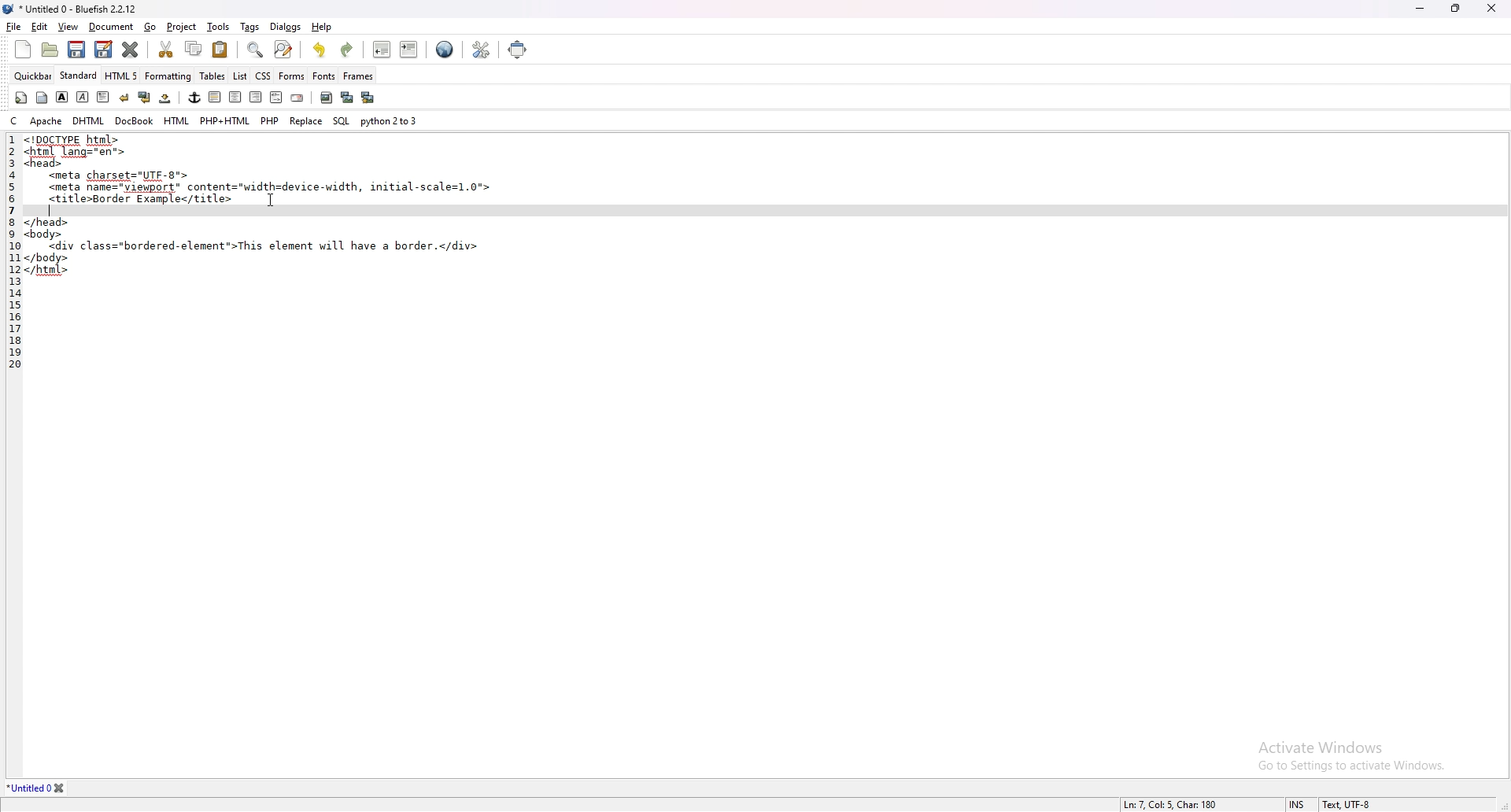 This screenshot has width=1511, height=812. What do you see at coordinates (518, 49) in the screenshot?
I see `full screen` at bounding box center [518, 49].